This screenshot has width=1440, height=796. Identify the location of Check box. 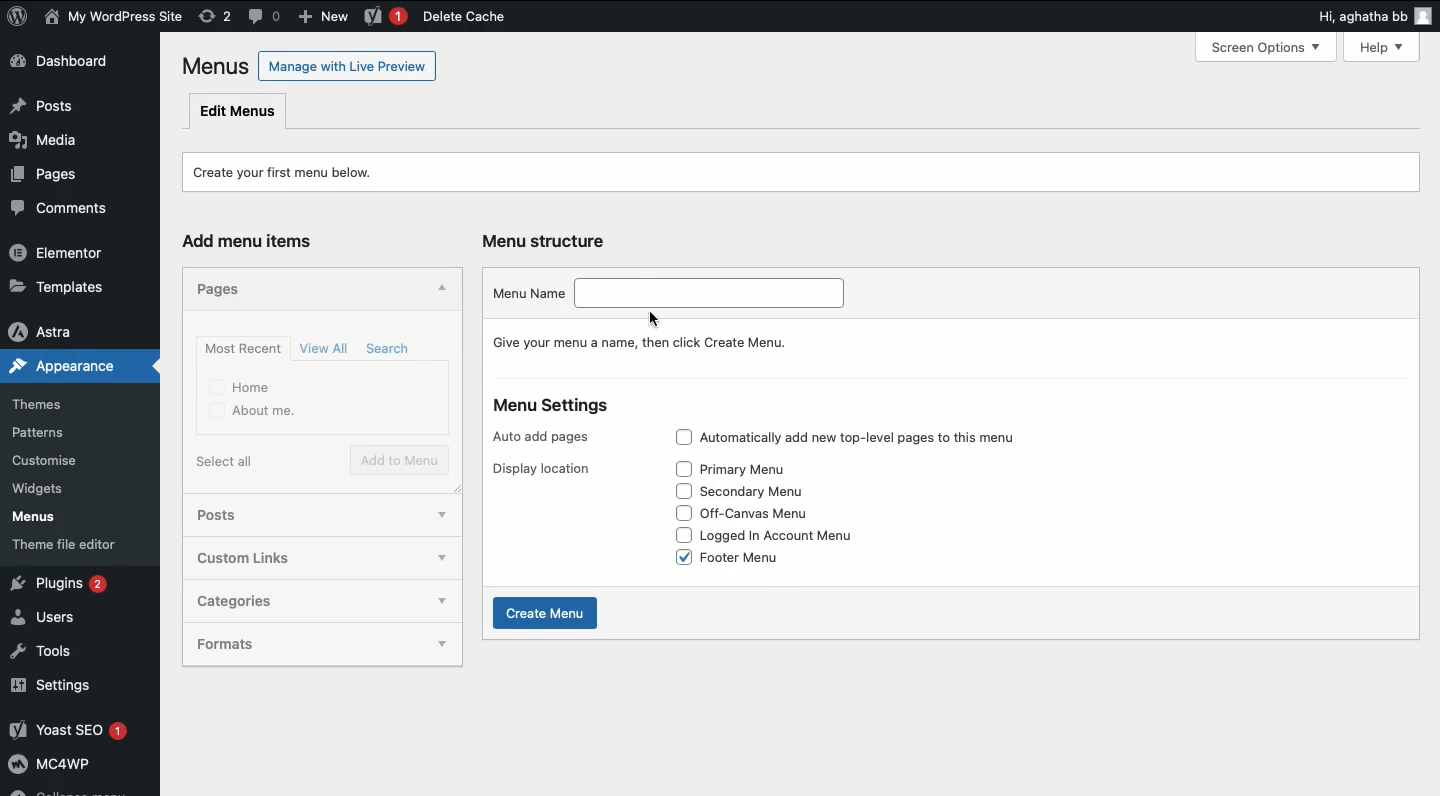
(676, 558).